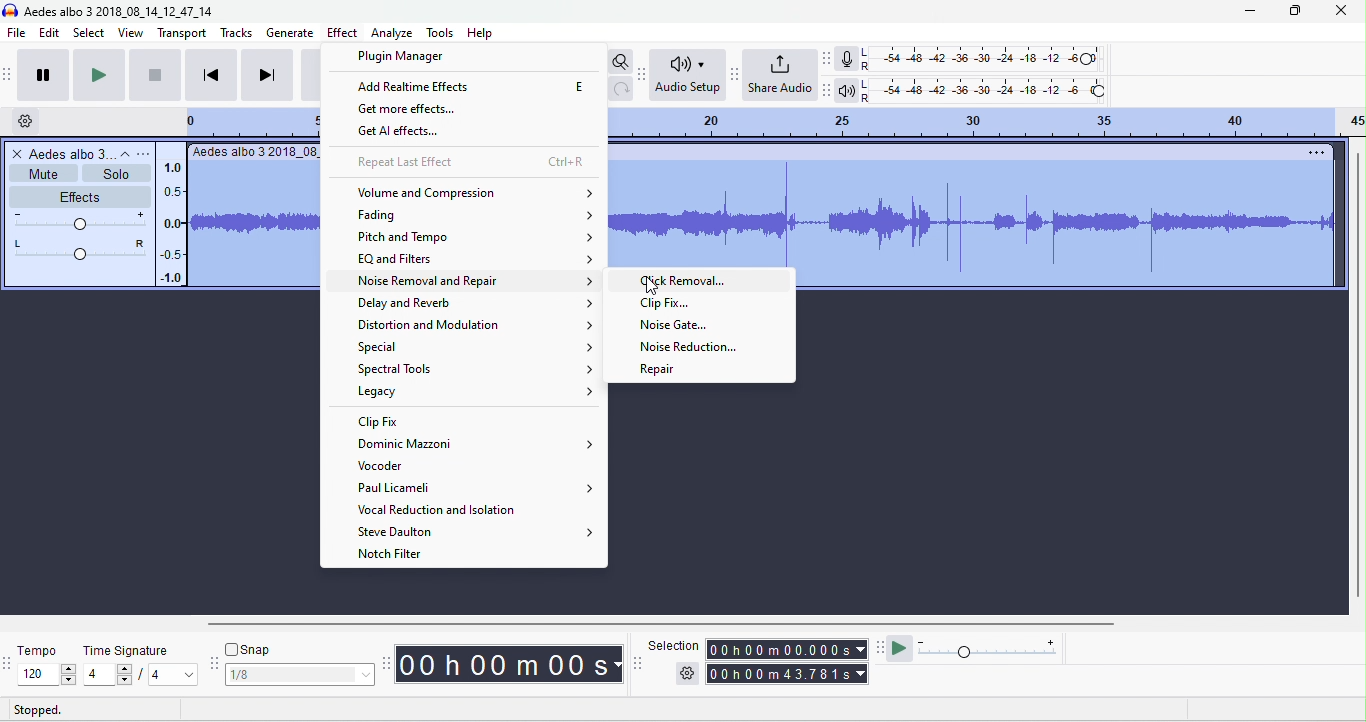 The width and height of the screenshot is (1366, 722). Describe the element at coordinates (846, 59) in the screenshot. I see `record meter` at that location.